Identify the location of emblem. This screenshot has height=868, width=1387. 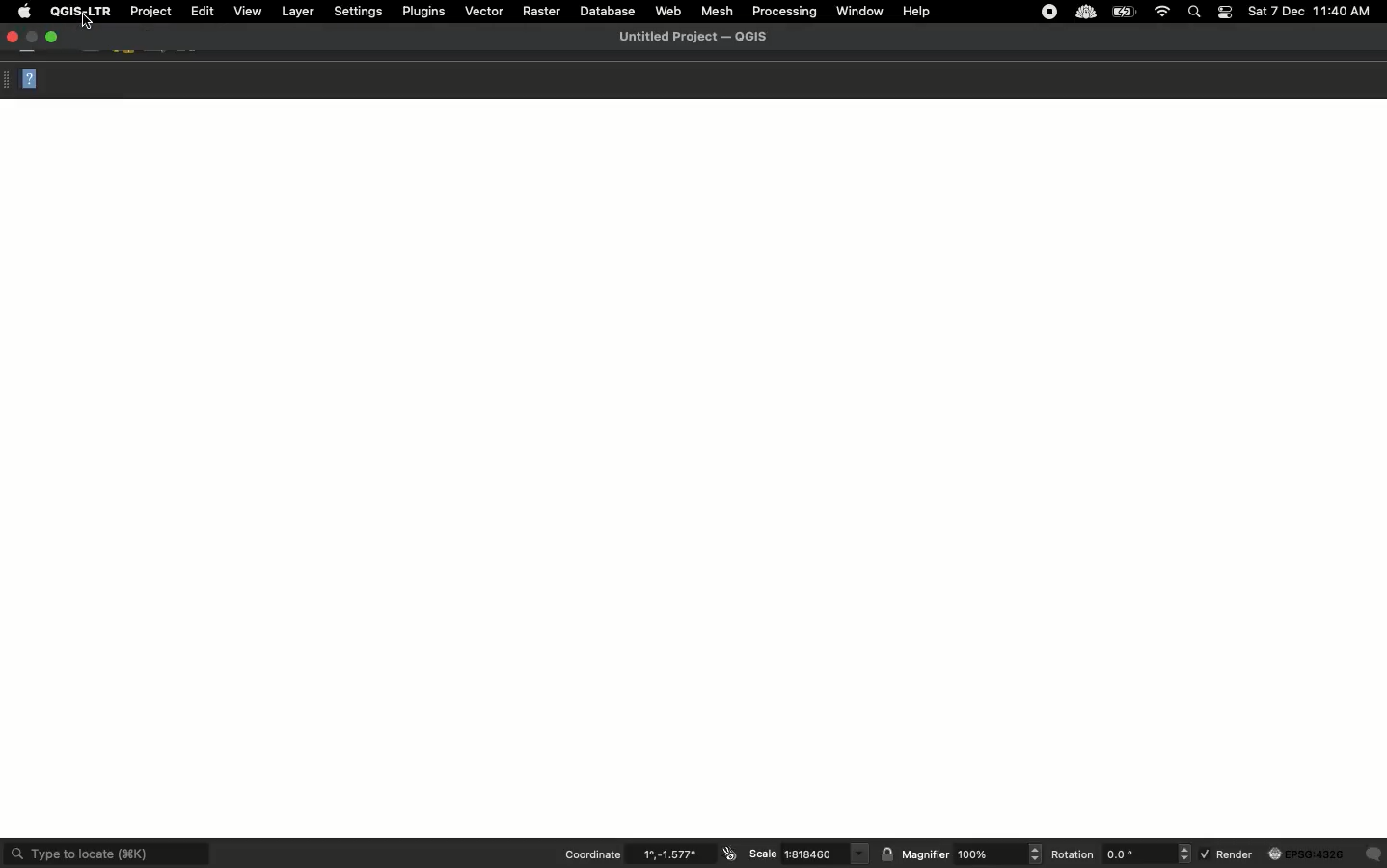
(731, 852).